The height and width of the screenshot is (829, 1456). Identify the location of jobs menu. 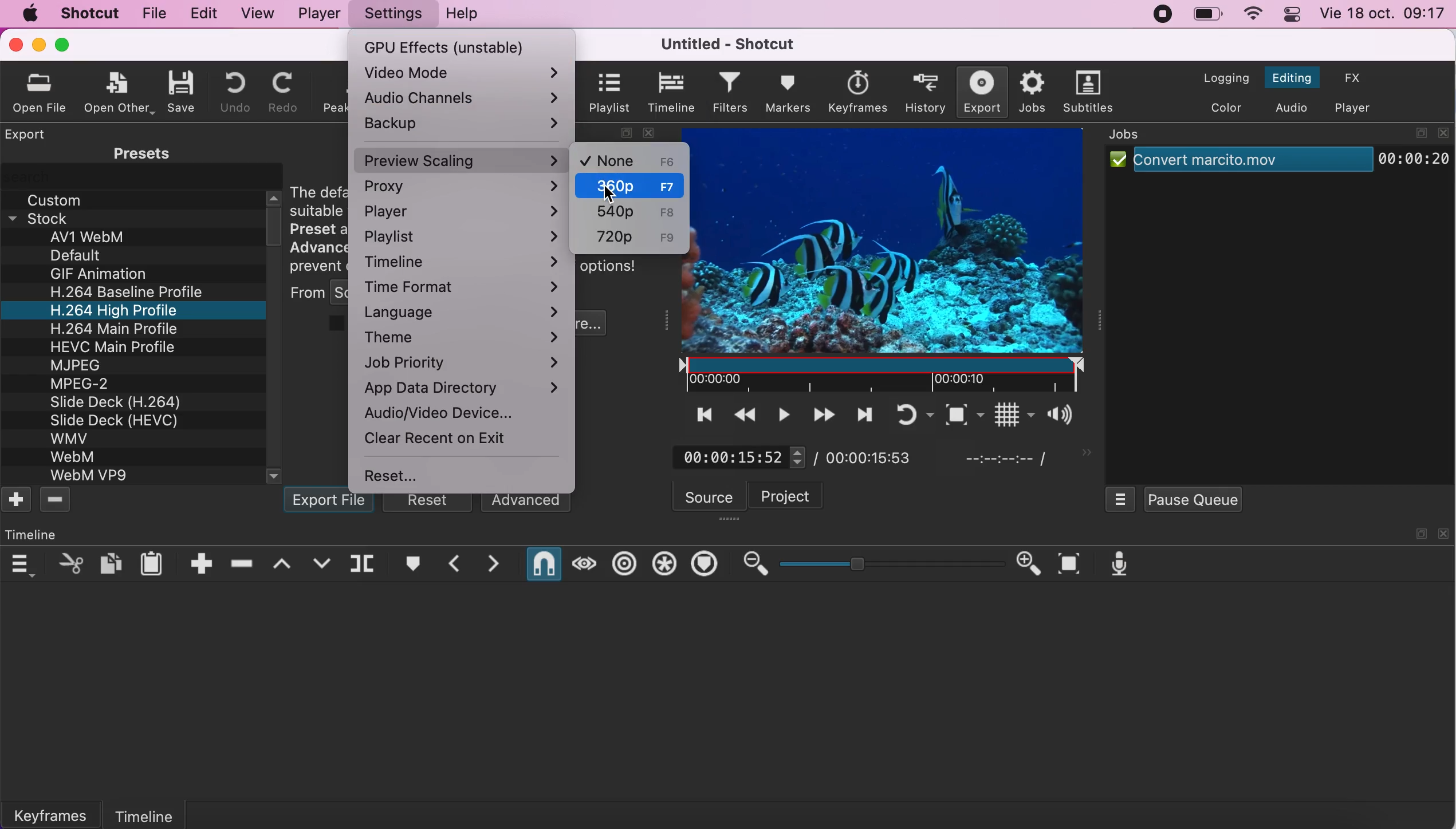
(1121, 498).